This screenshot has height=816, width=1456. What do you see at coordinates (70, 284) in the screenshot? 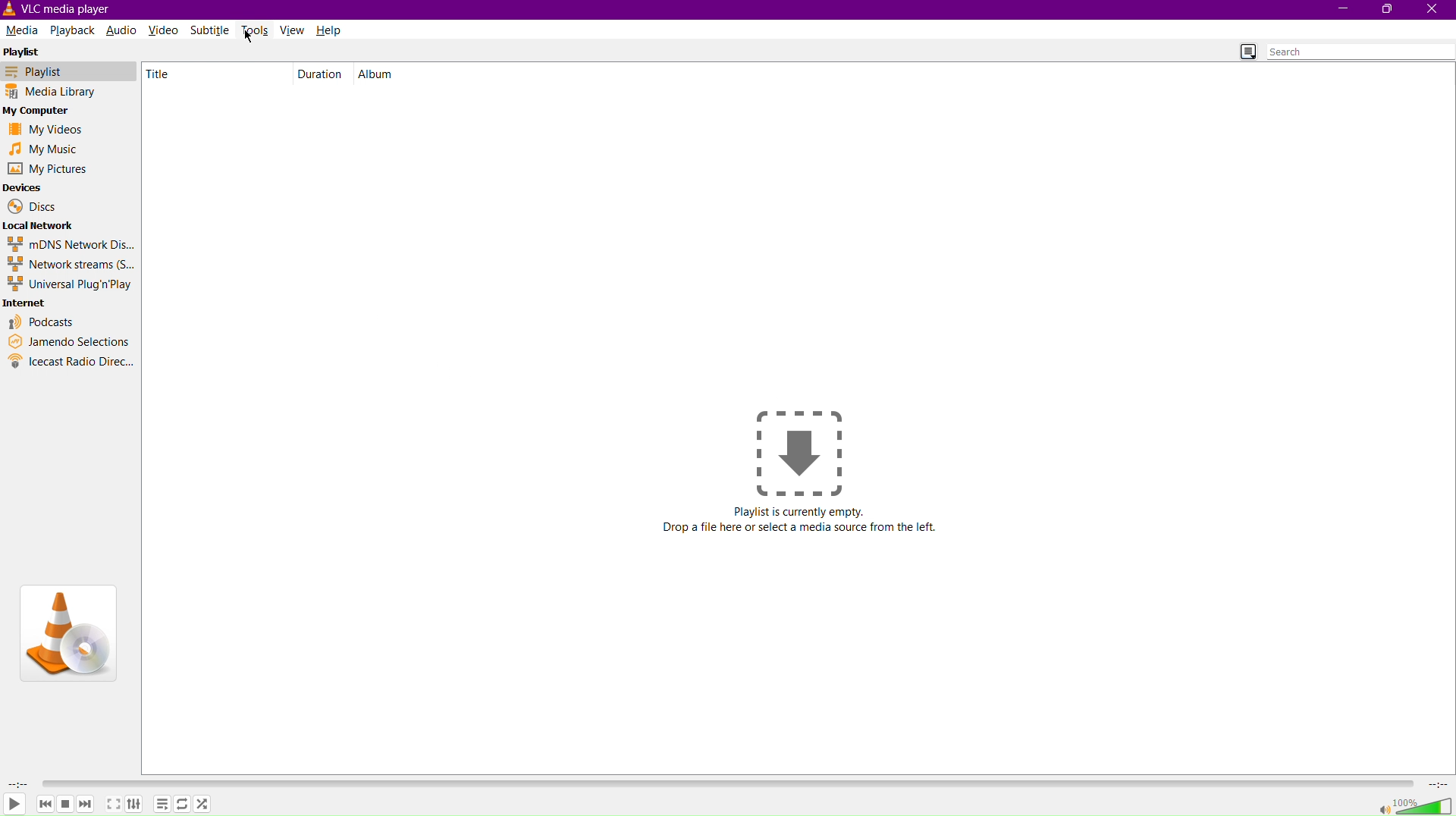
I see `Universal Plug'n'Play` at bounding box center [70, 284].